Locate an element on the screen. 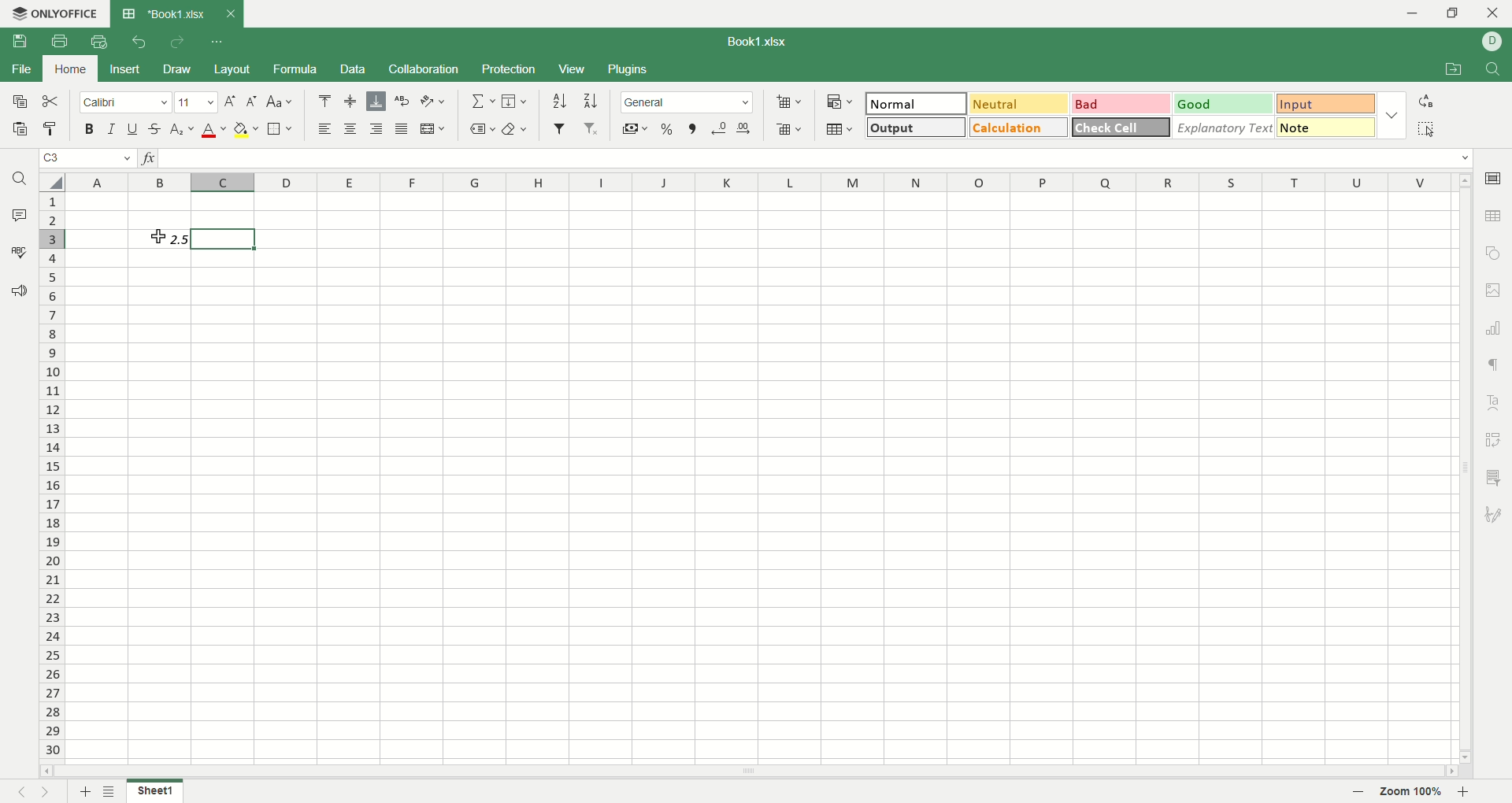  print is located at coordinates (63, 43).